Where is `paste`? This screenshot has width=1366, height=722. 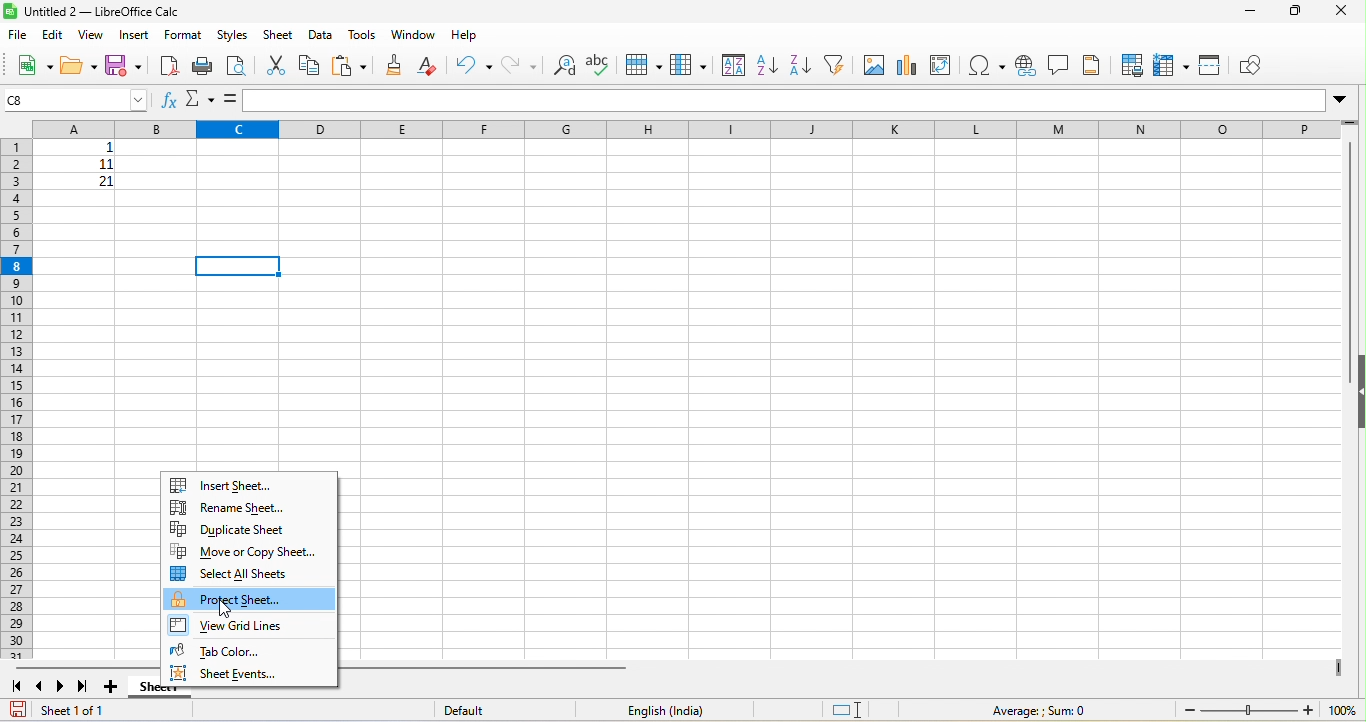 paste is located at coordinates (349, 66).